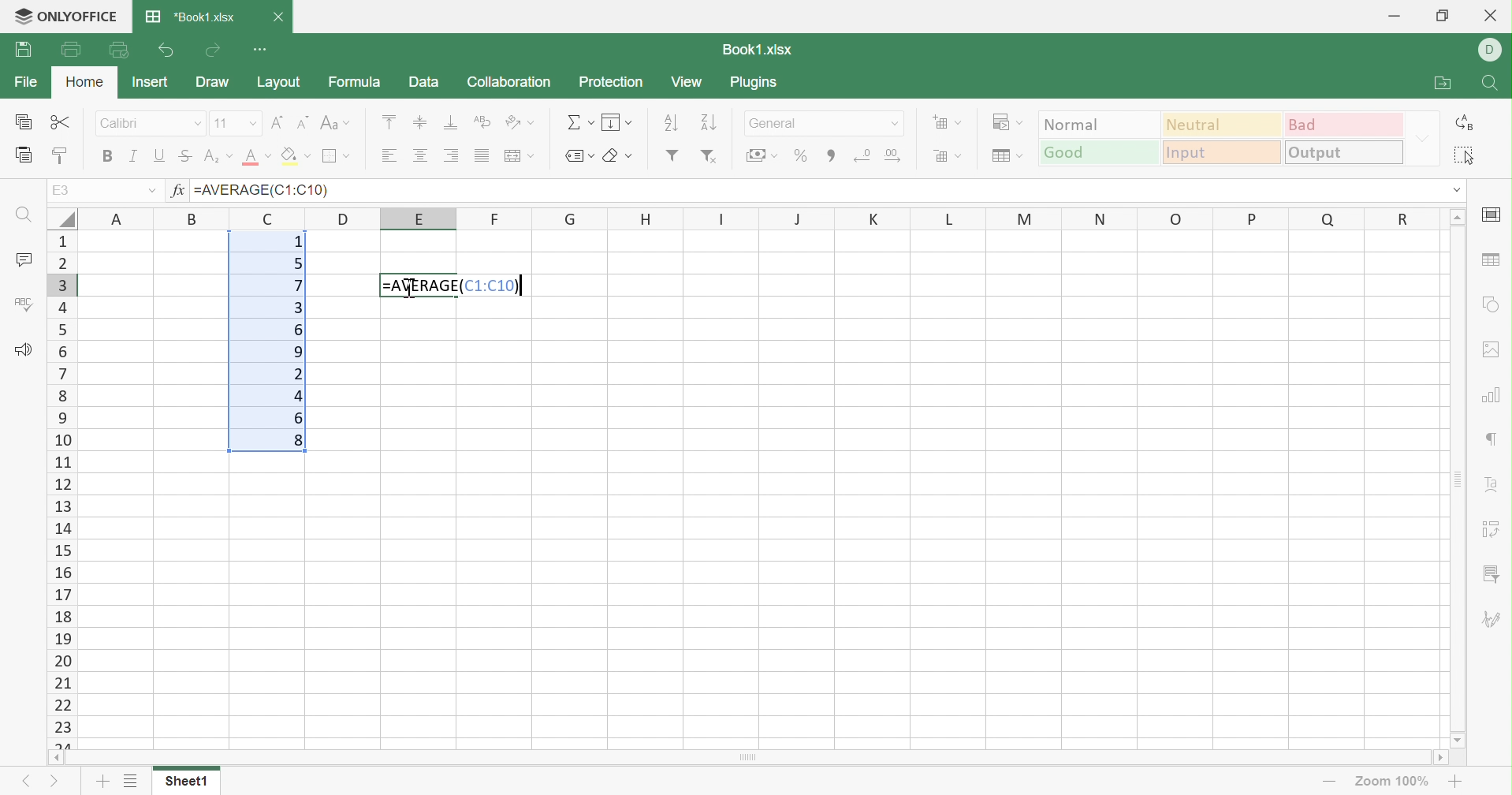  What do you see at coordinates (294, 286) in the screenshot?
I see `7` at bounding box center [294, 286].